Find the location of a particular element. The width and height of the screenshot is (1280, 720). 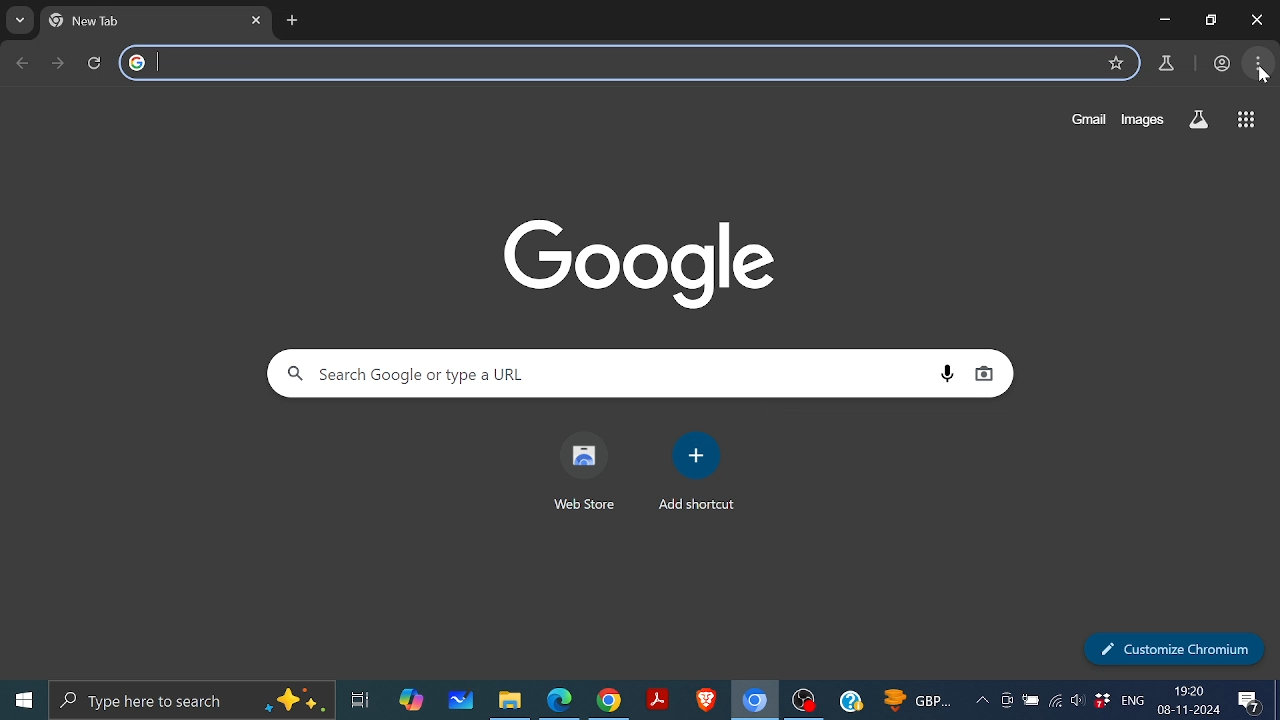

Task View is located at coordinates (358, 698).